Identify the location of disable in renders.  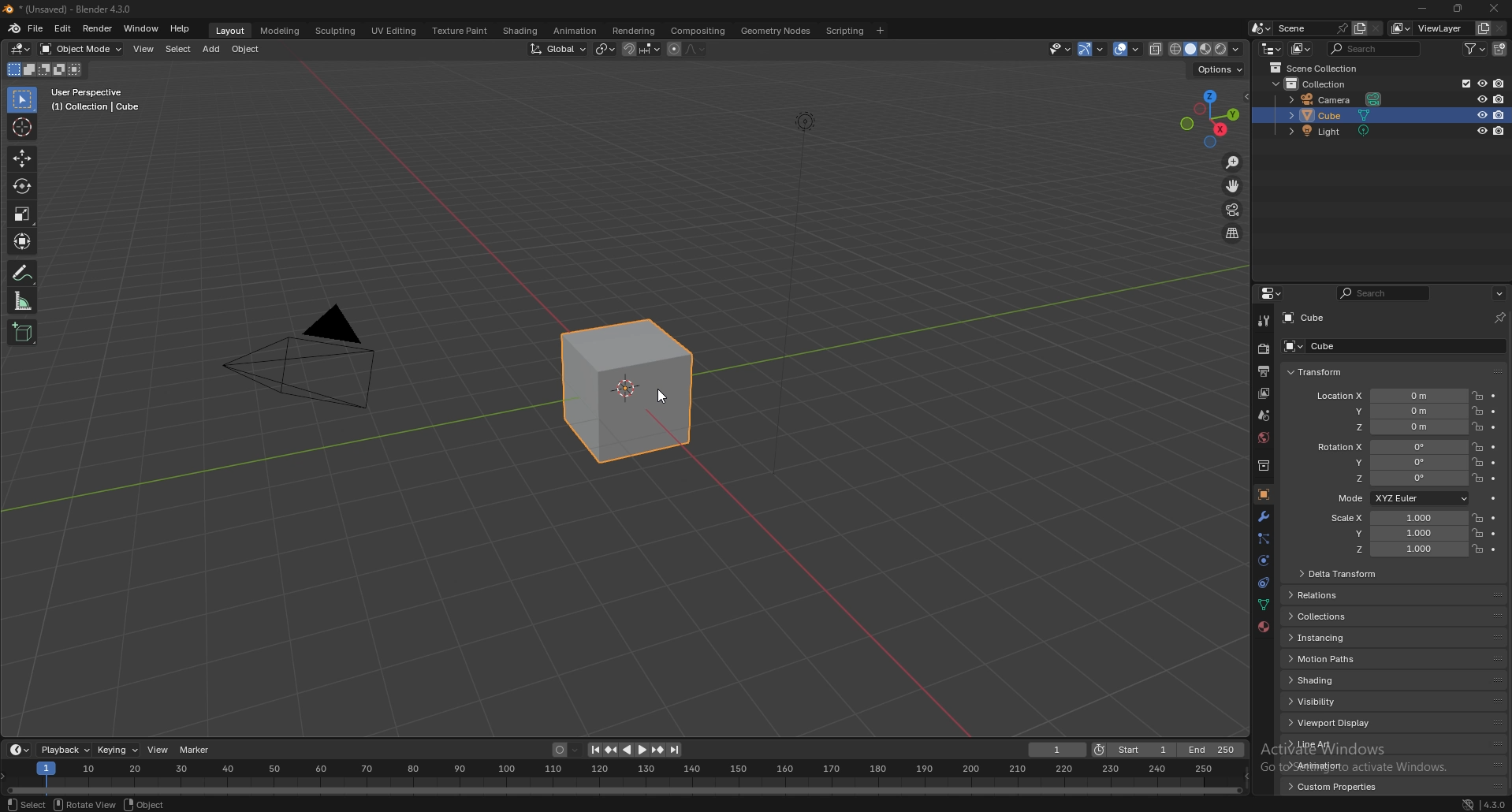
(1499, 98).